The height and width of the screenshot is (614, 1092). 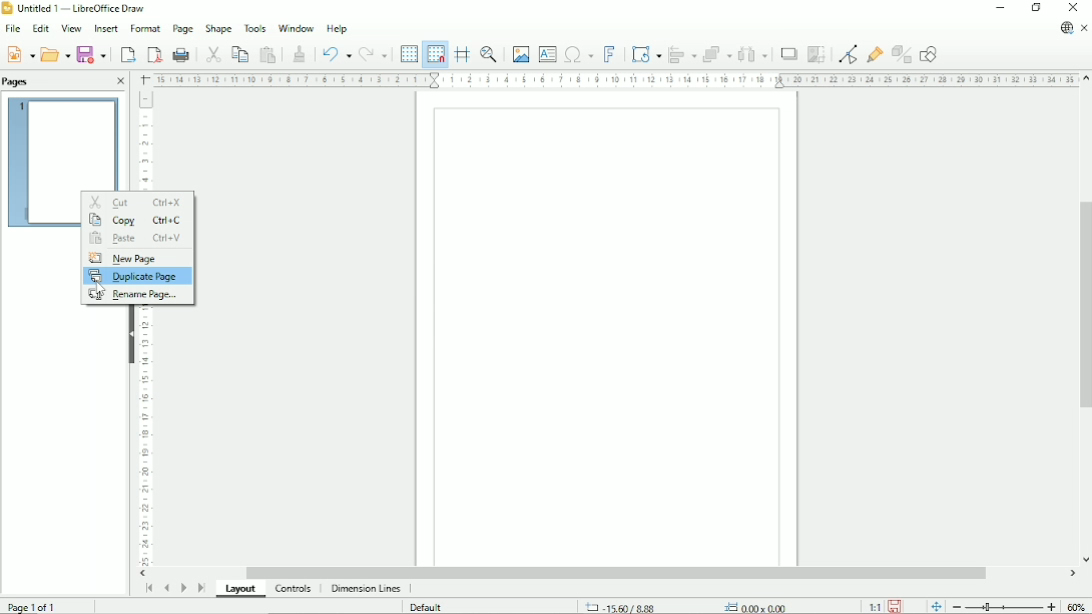 What do you see at coordinates (268, 54) in the screenshot?
I see `Paste` at bounding box center [268, 54].